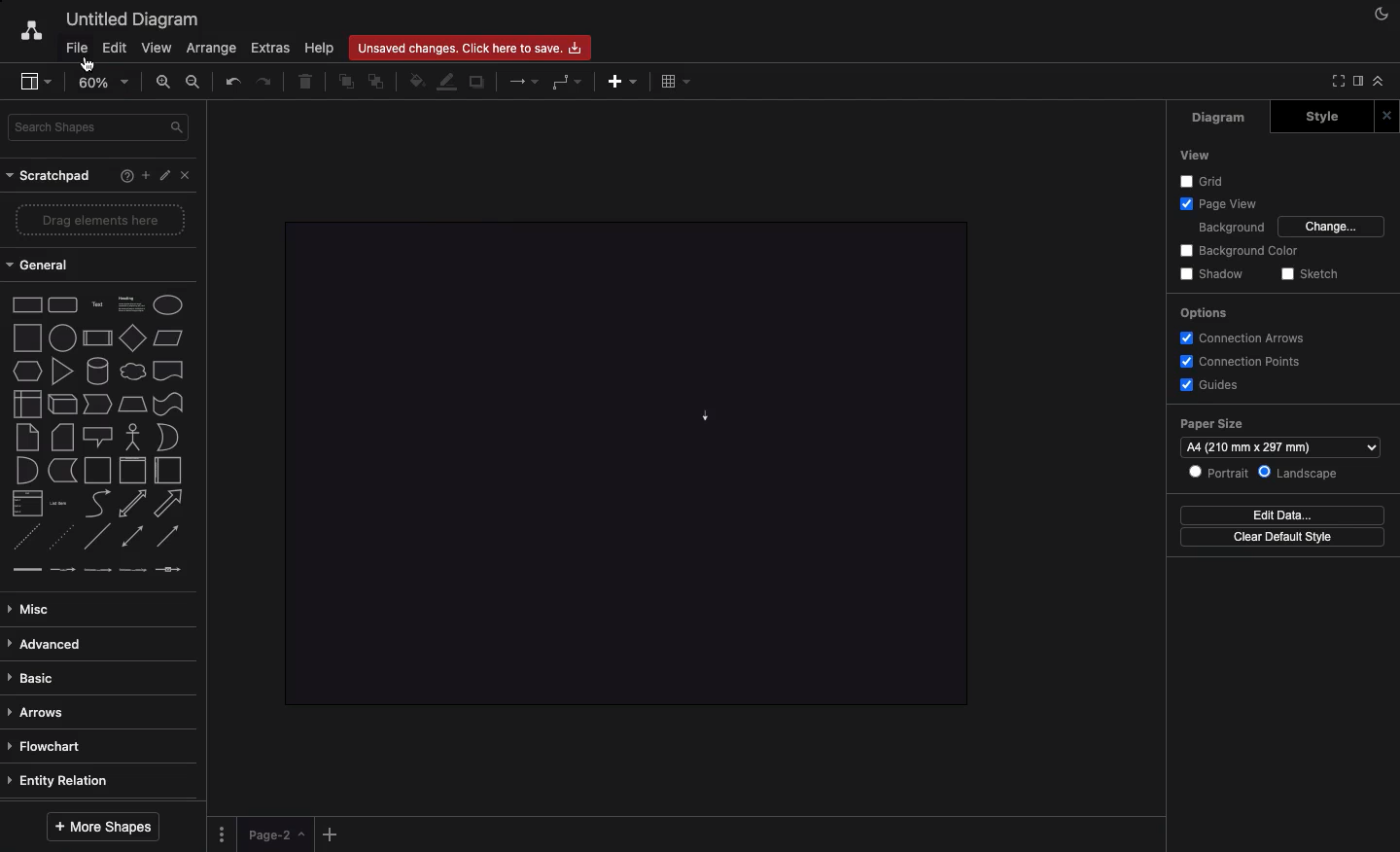  Describe the element at coordinates (99, 436) in the screenshot. I see `Shapes` at that location.